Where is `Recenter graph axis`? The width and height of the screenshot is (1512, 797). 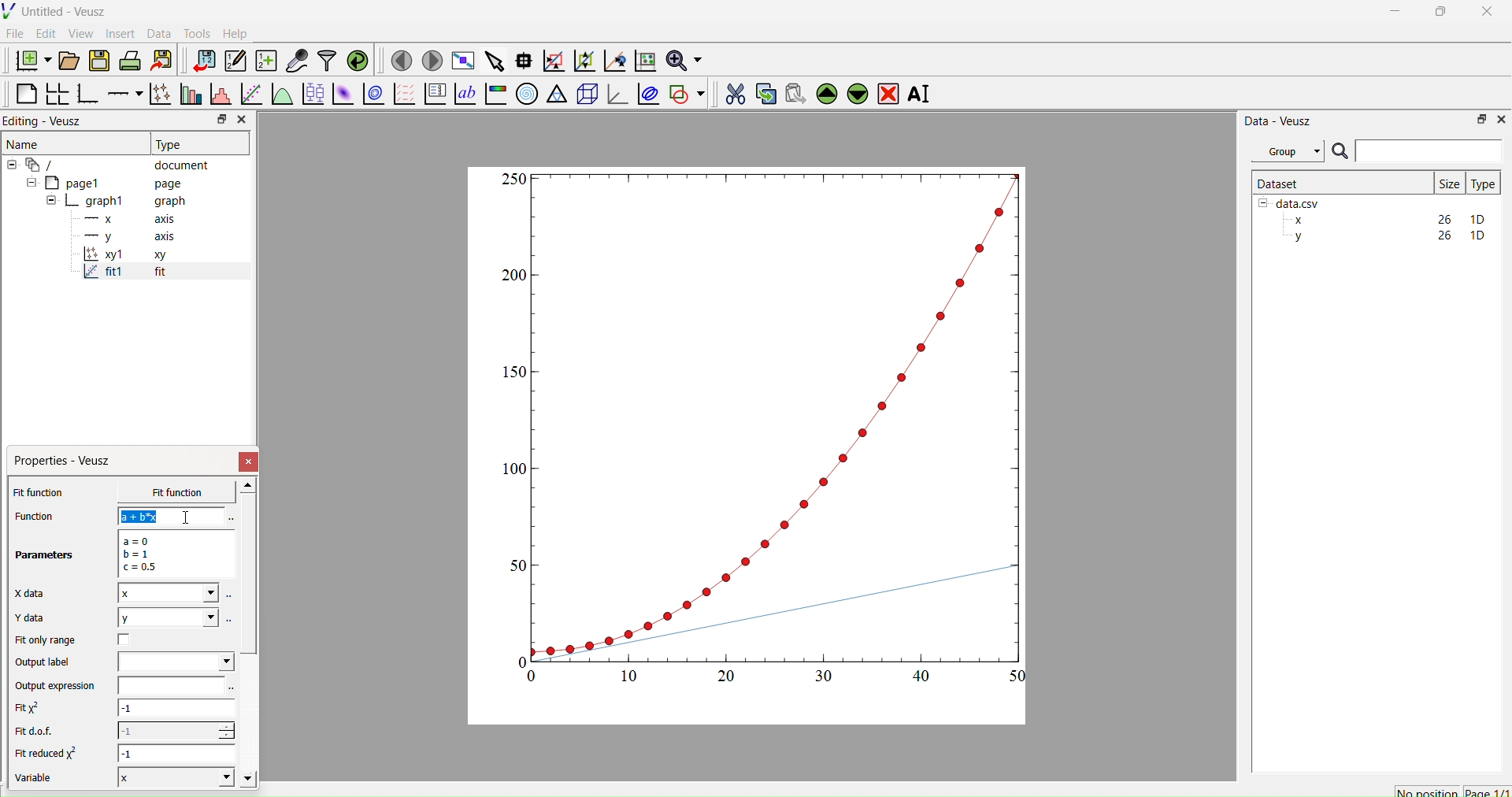 Recenter graph axis is located at coordinates (613, 60).